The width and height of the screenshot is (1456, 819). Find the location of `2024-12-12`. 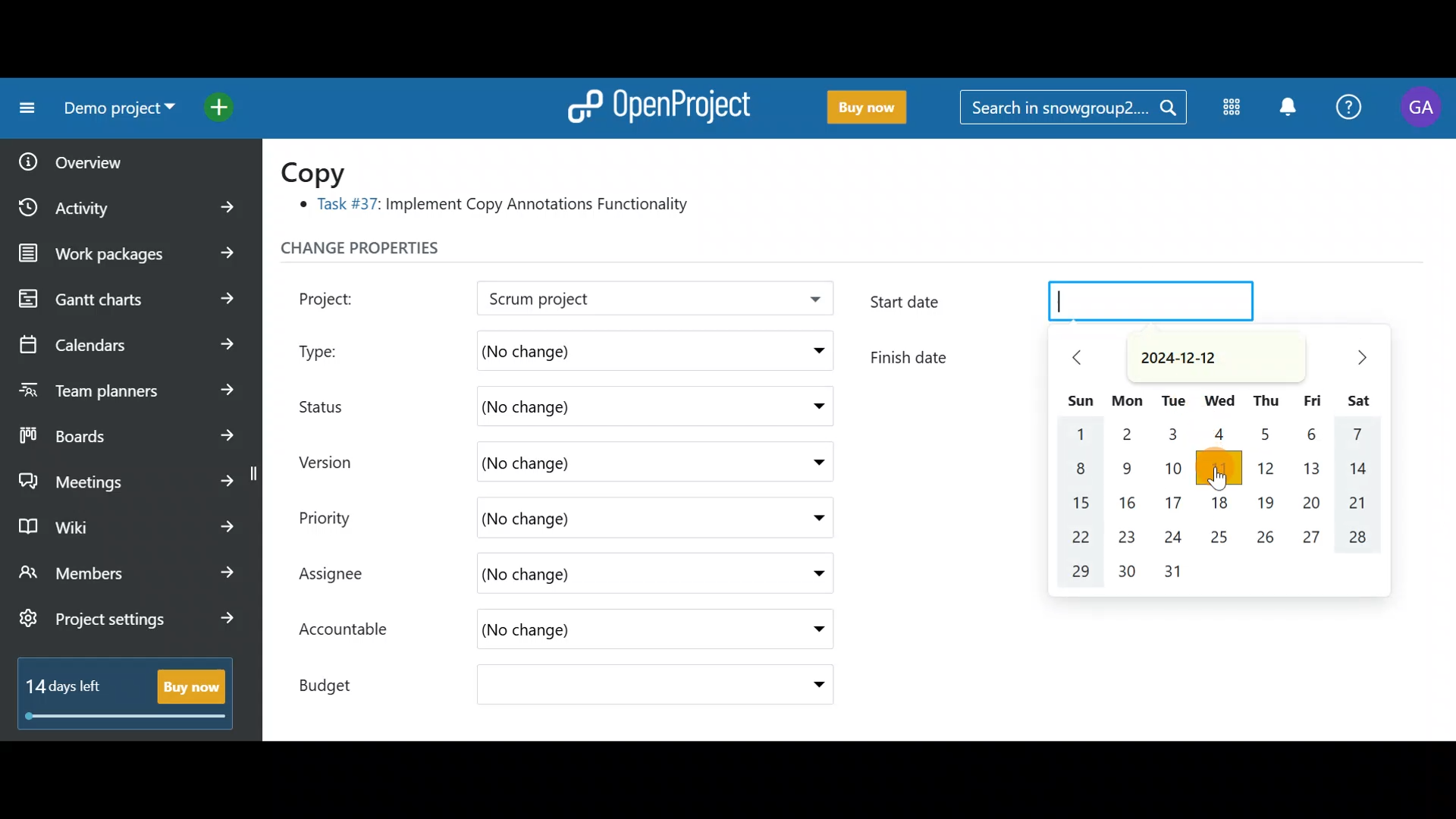

2024-12-12 is located at coordinates (1207, 356).